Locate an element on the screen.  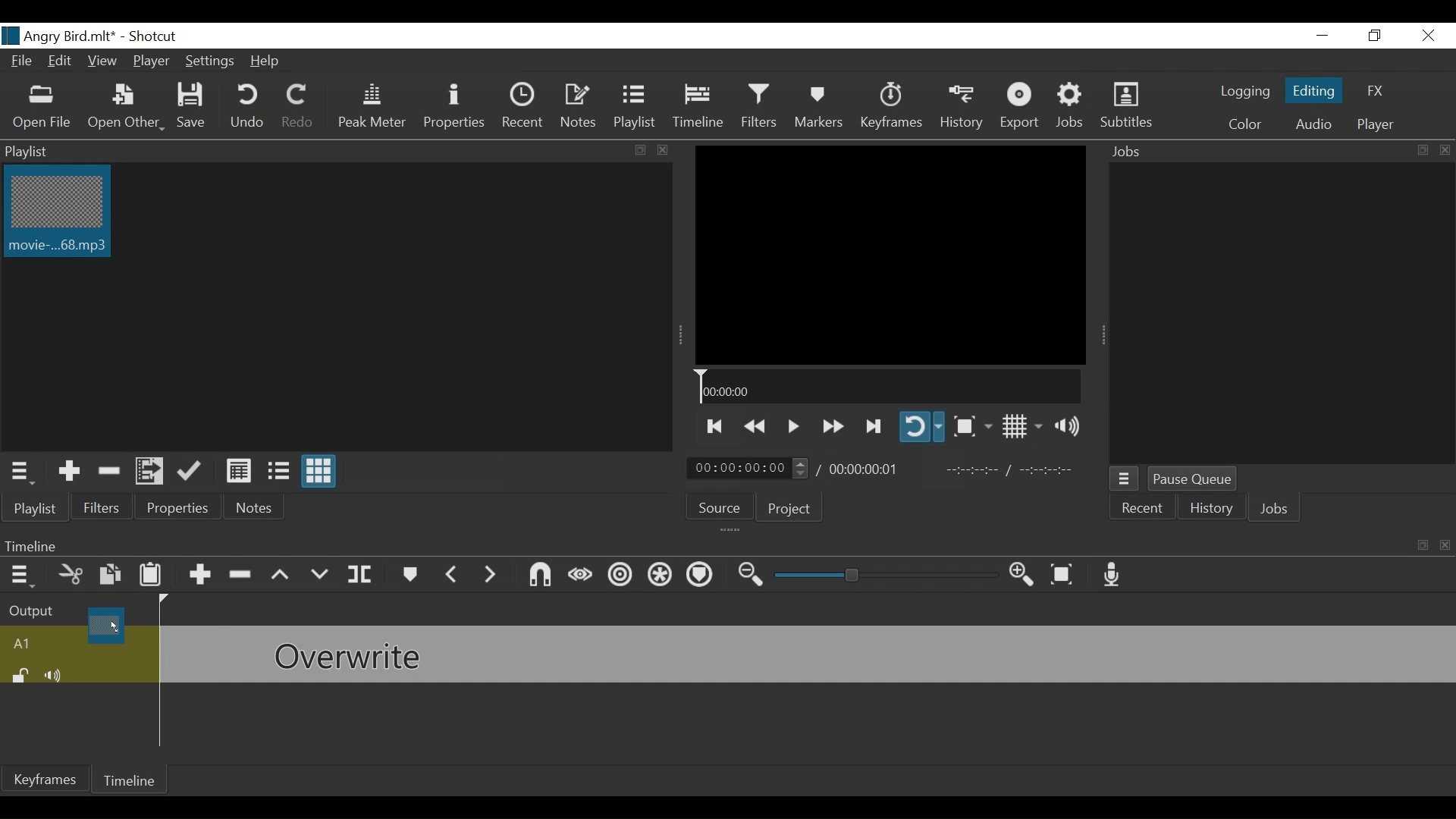
Settings is located at coordinates (208, 61).